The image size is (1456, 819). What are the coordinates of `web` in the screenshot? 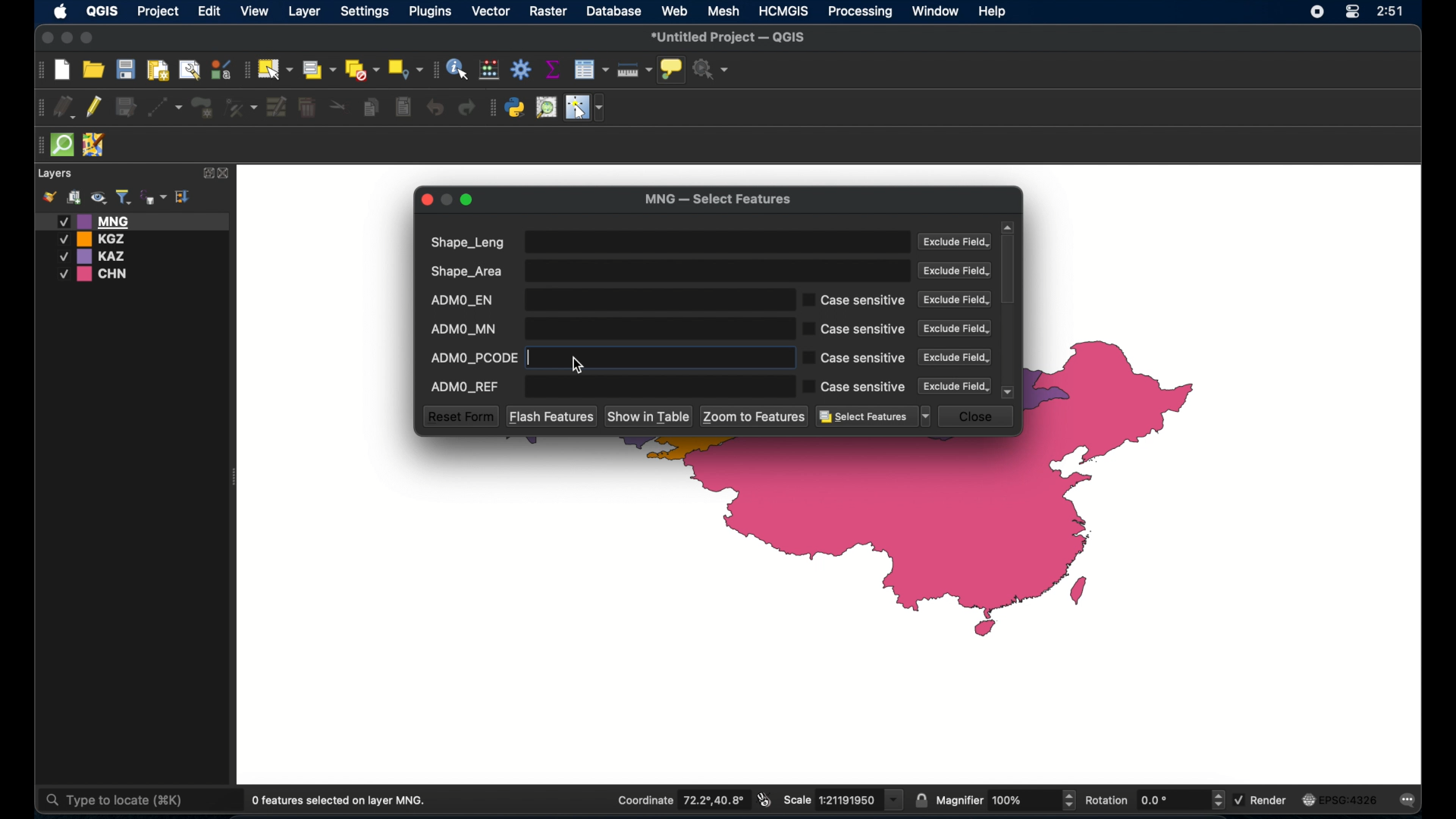 It's located at (675, 11).